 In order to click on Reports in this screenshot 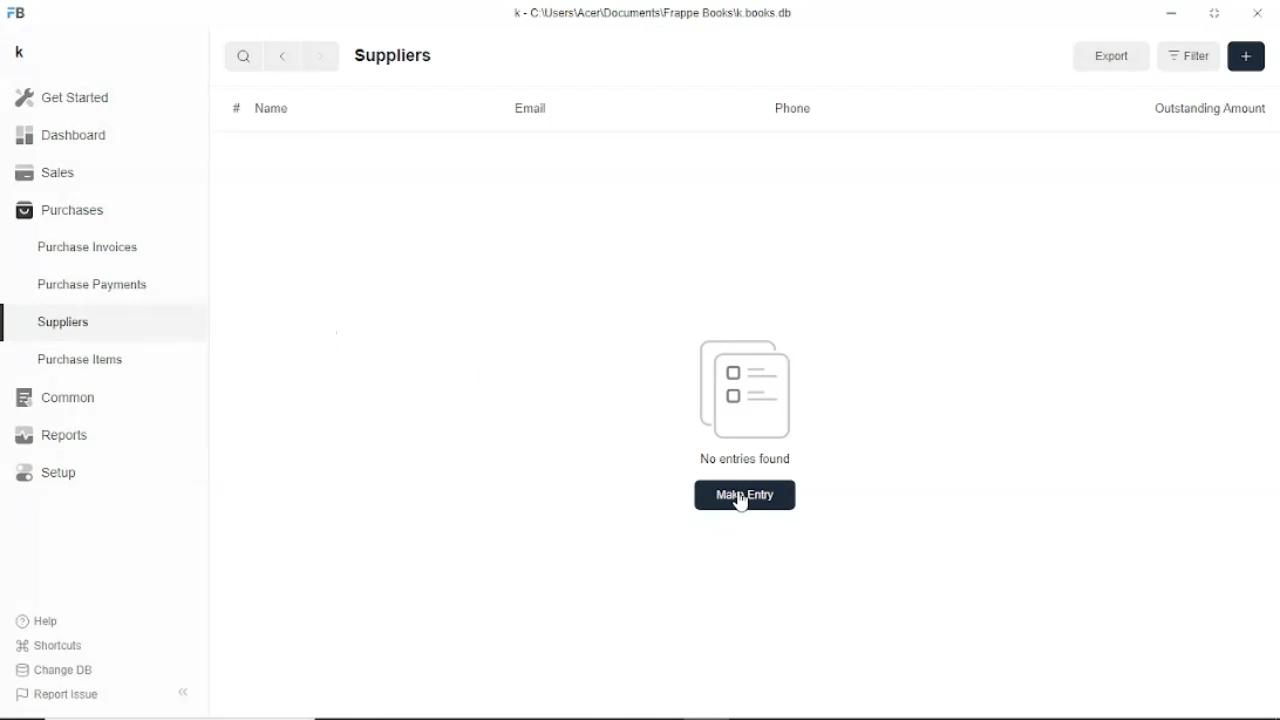, I will do `click(53, 435)`.